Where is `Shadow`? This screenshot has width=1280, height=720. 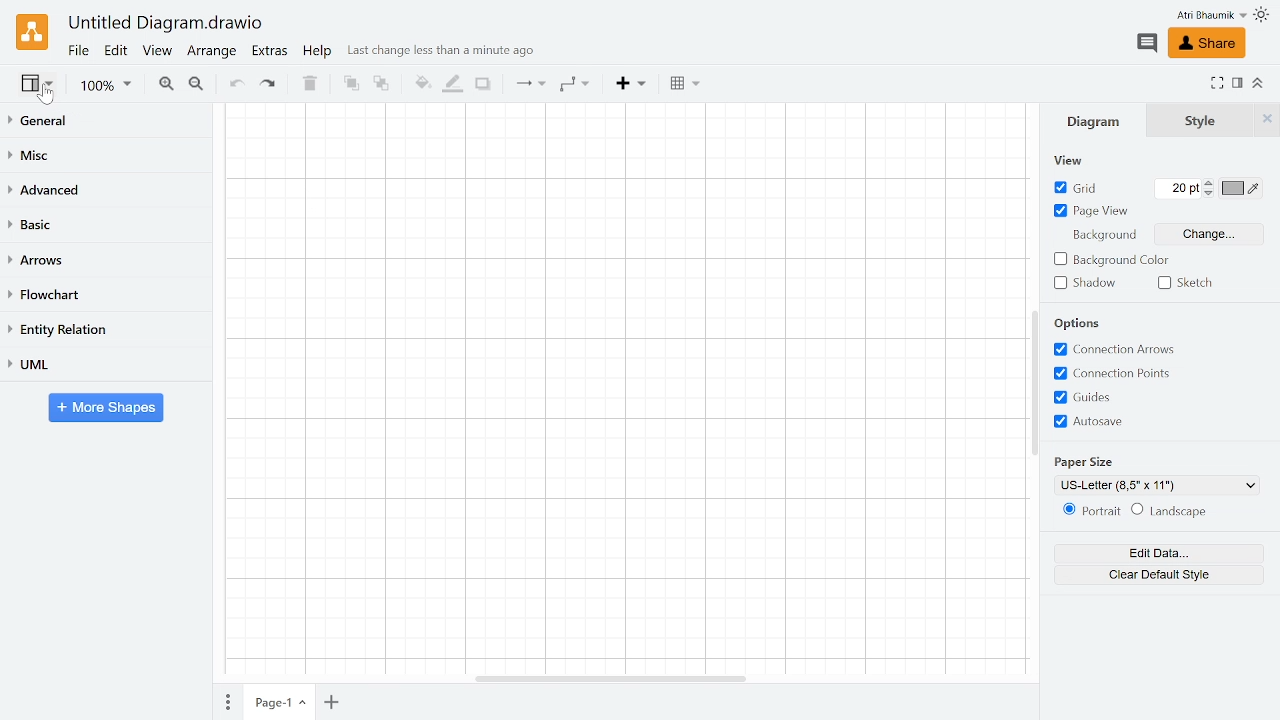 Shadow is located at coordinates (1084, 283).